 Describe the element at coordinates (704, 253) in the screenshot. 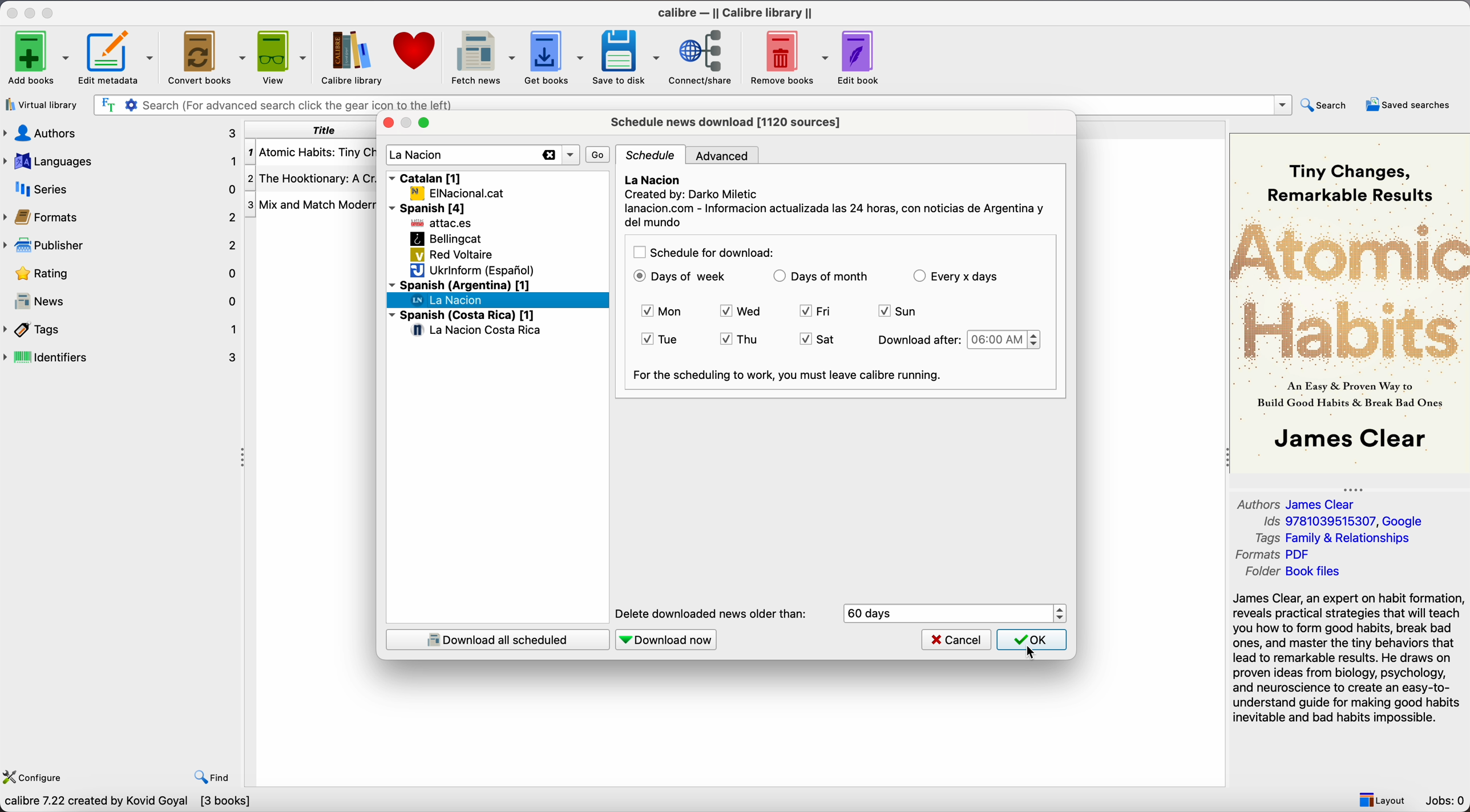

I see `schedule for download:` at that location.